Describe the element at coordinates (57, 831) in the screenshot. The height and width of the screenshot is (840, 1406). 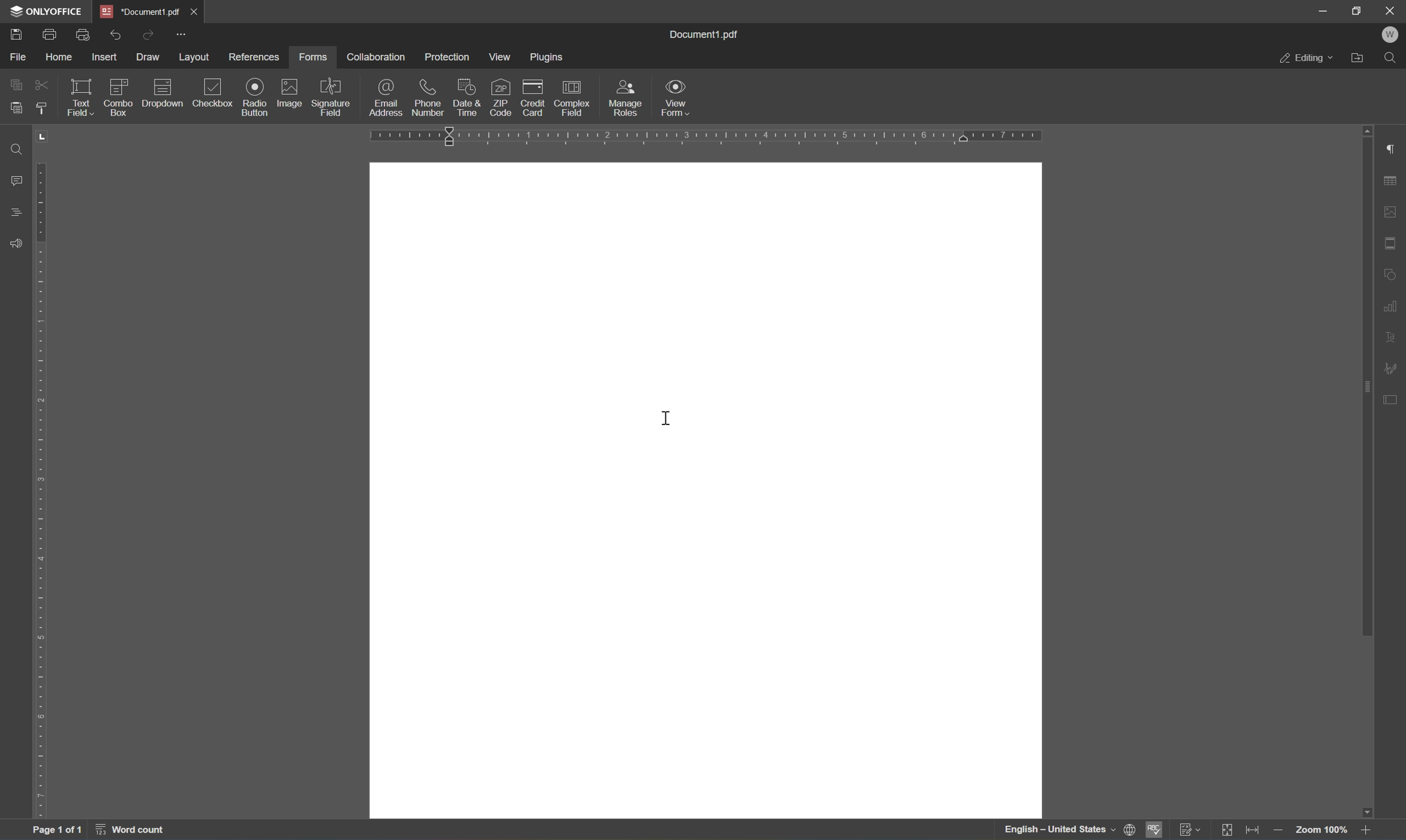
I see `page 1 of 1` at that location.